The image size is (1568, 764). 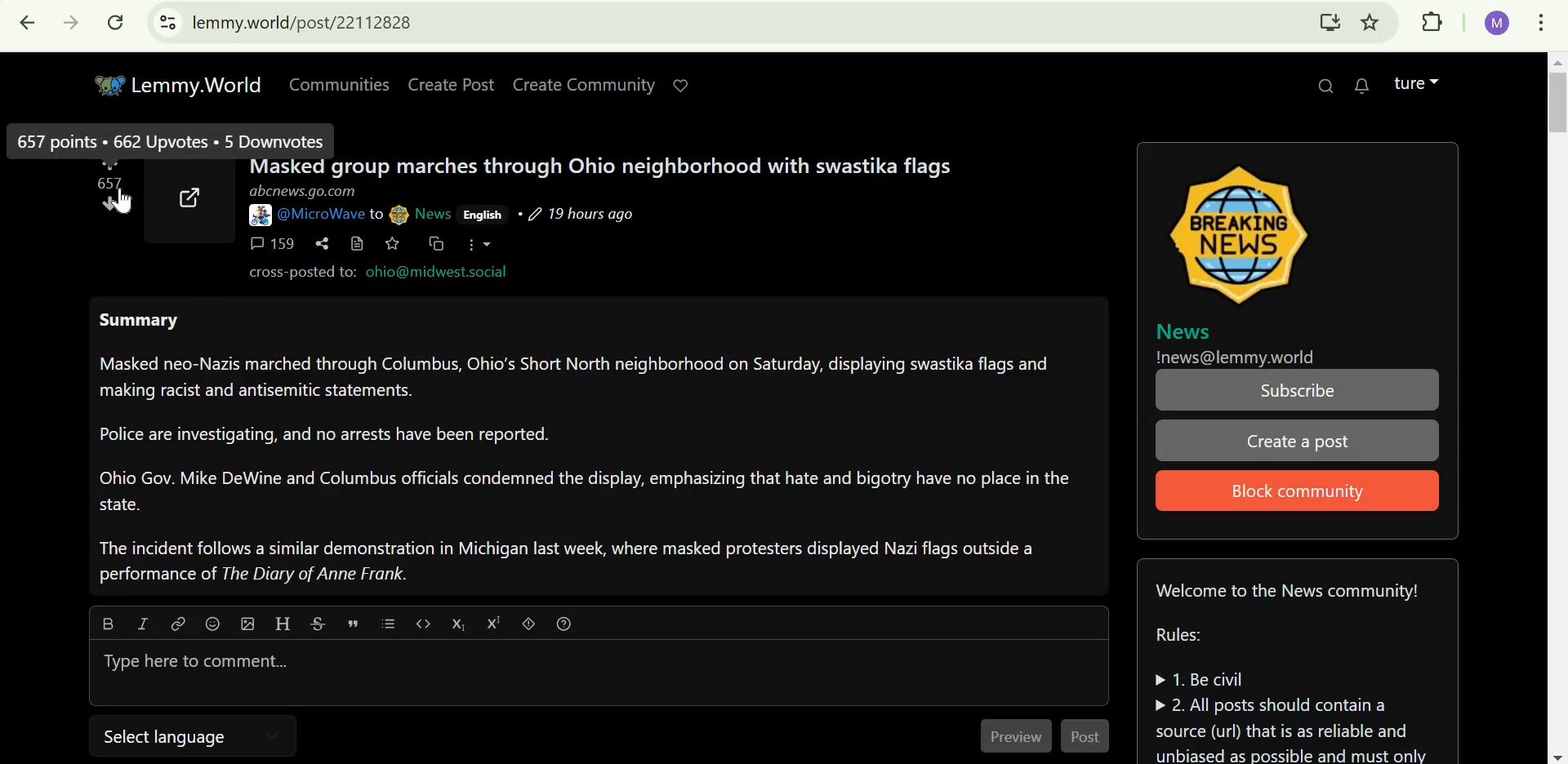 I want to click on 0 unread messages, so click(x=1363, y=86).